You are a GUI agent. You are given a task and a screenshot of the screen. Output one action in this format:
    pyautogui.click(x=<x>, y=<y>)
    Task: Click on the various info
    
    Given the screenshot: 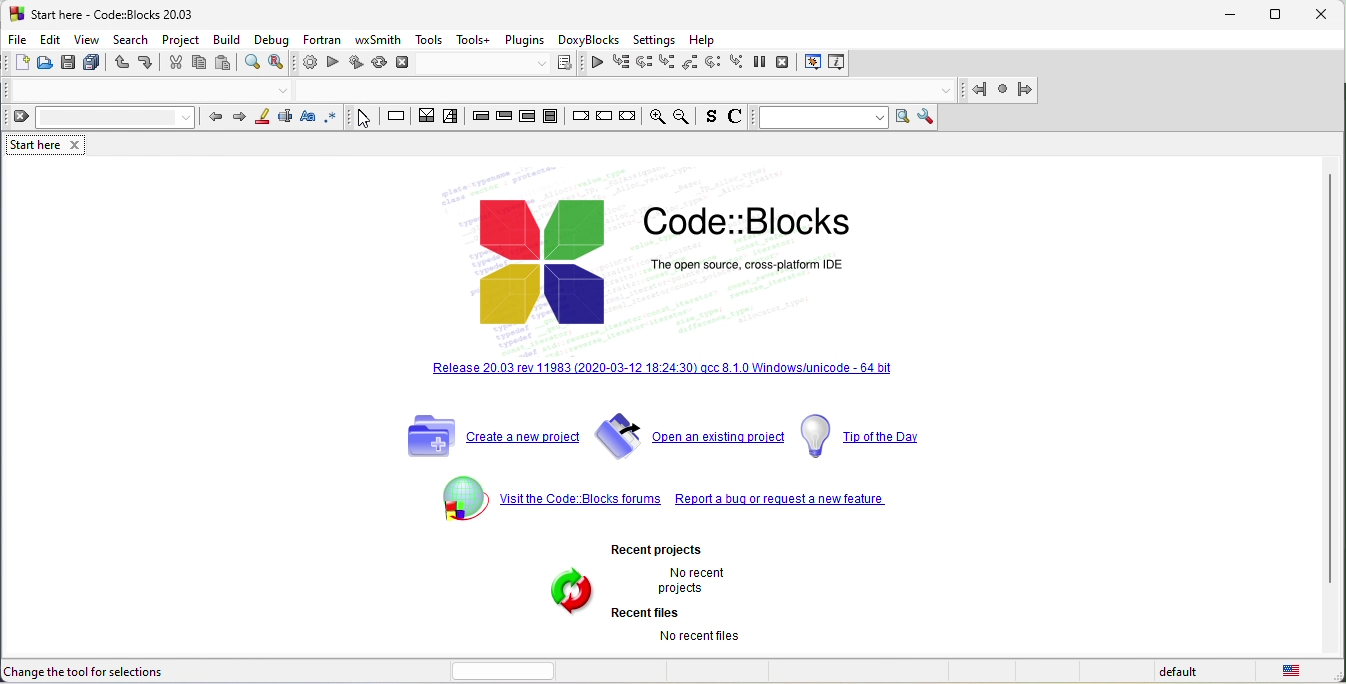 What is the action you would take?
    pyautogui.click(x=839, y=65)
    